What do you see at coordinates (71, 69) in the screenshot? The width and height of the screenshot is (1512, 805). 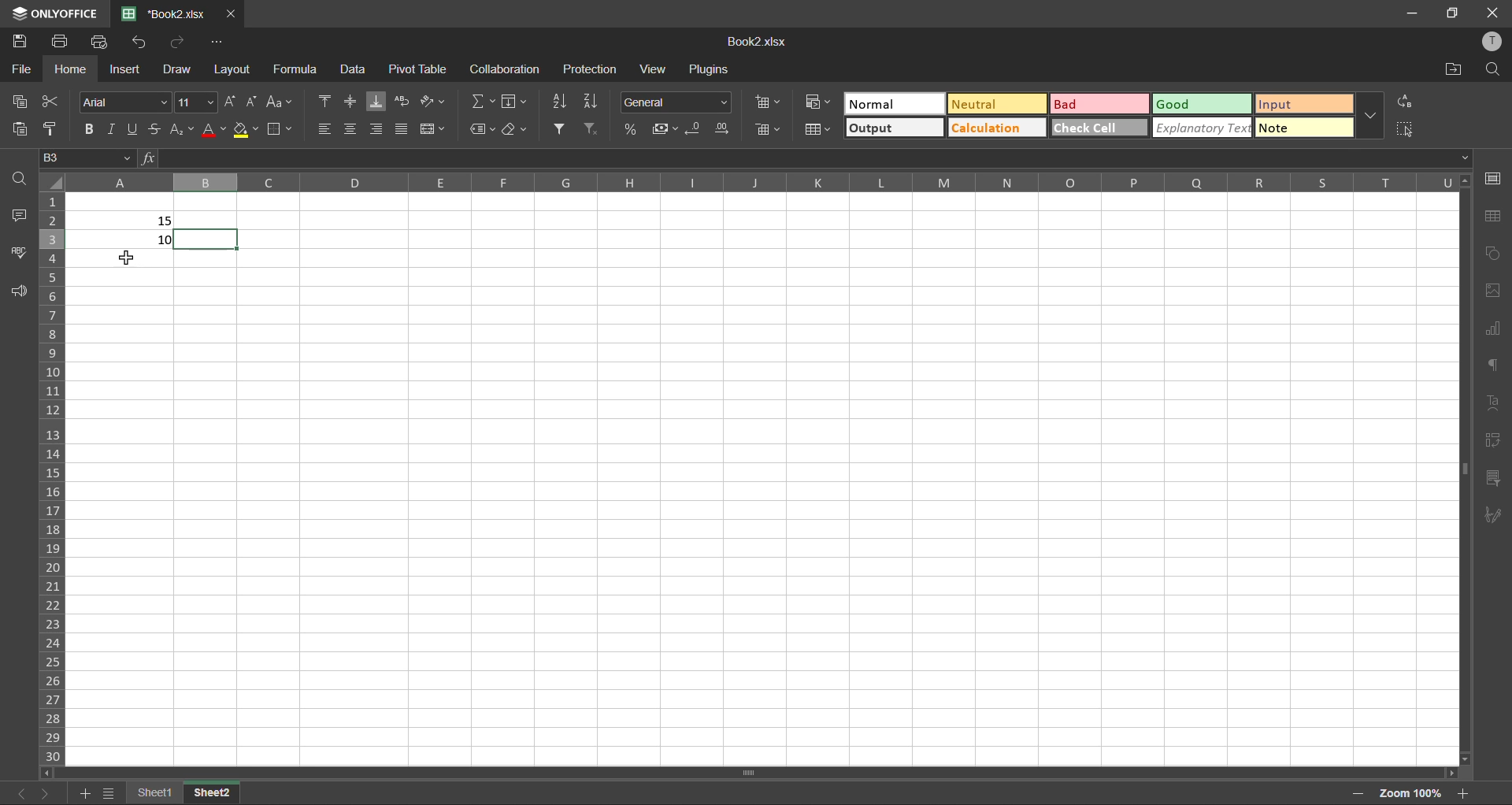 I see `home` at bounding box center [71, 69].